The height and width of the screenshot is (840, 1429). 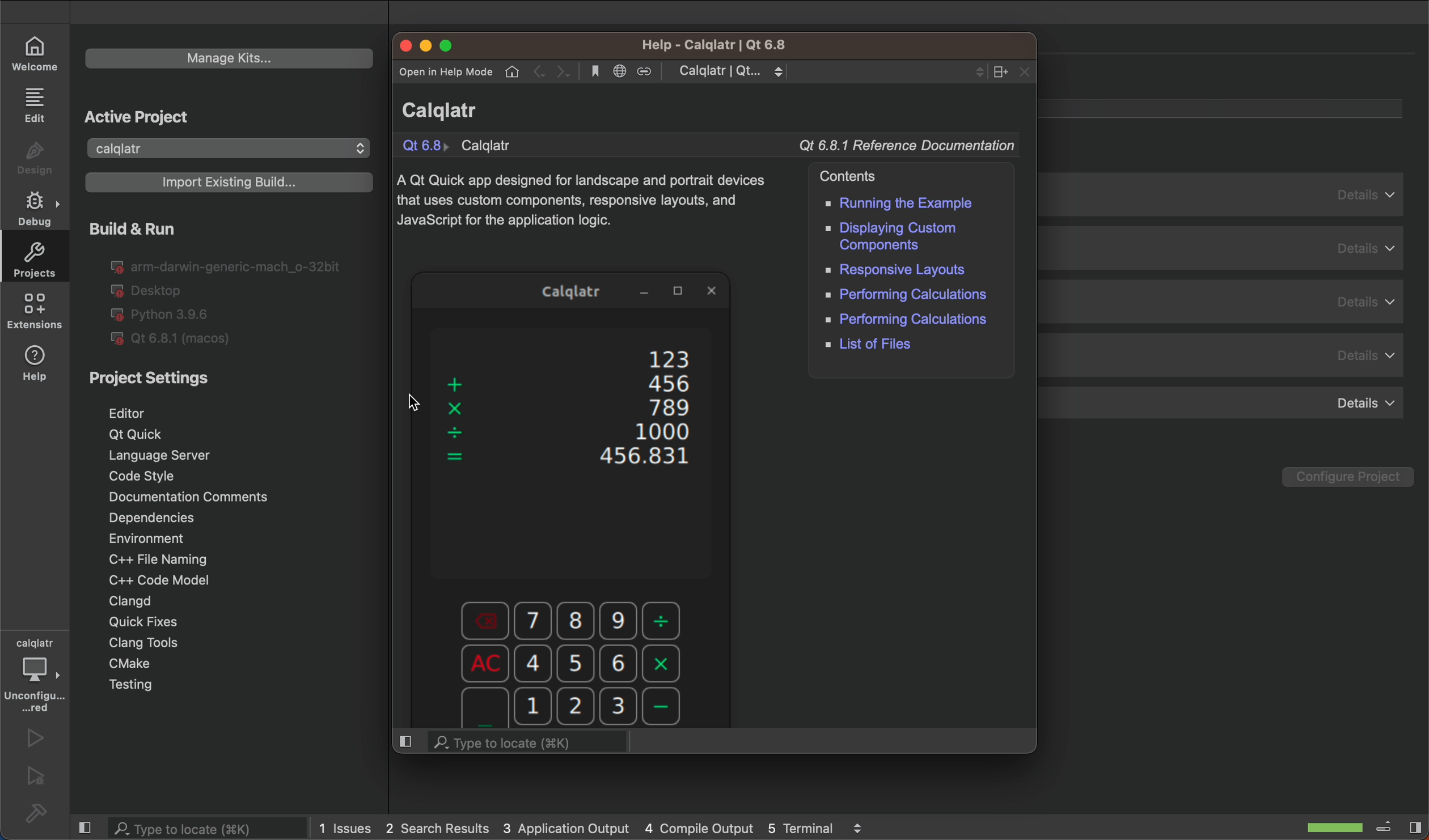 What do you see at coordinates (704, 829) in the screenshot?
I see `compile output` at bounding box center [704, 829].